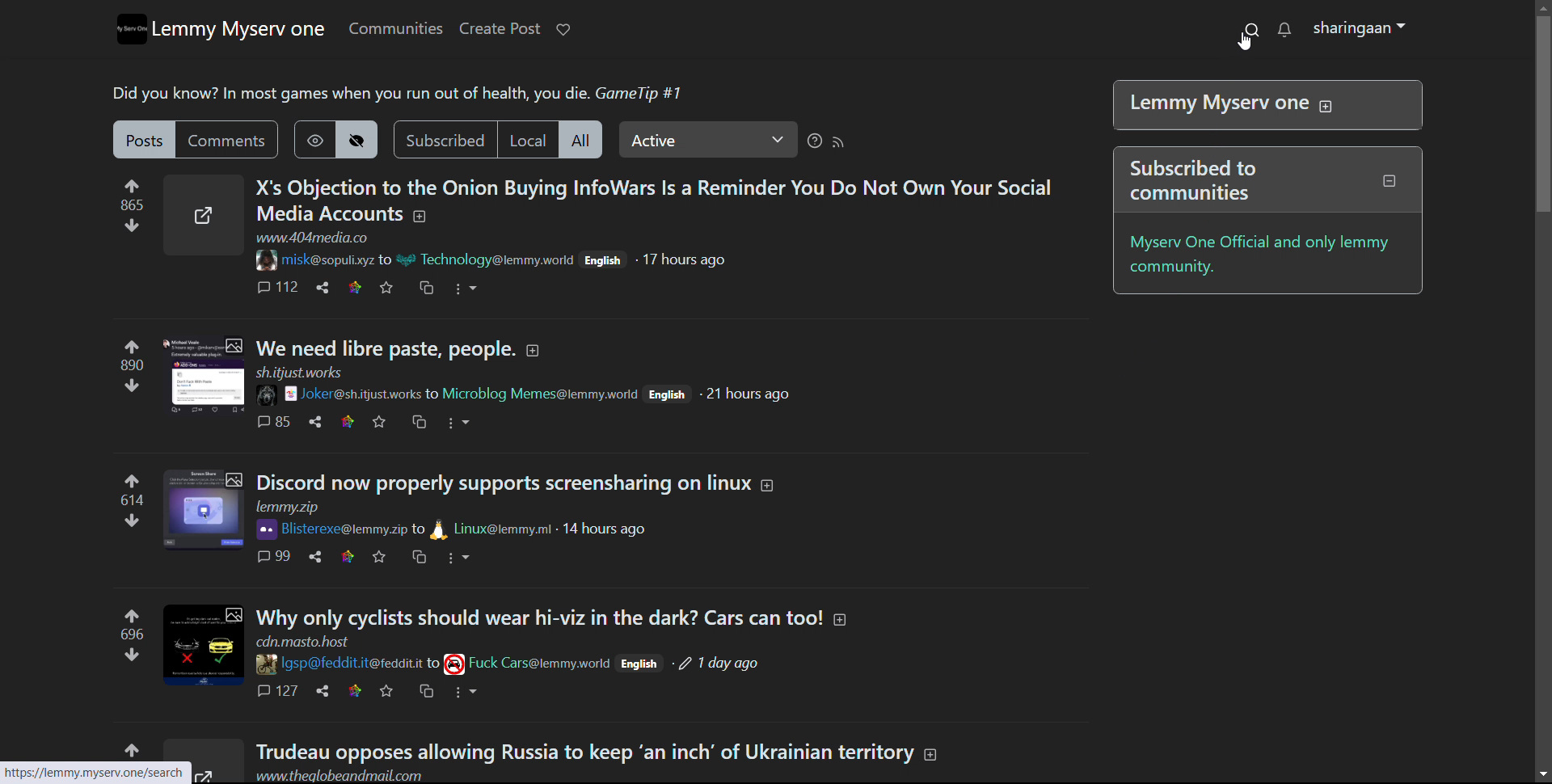  I want to click on more, so click(460, 422).